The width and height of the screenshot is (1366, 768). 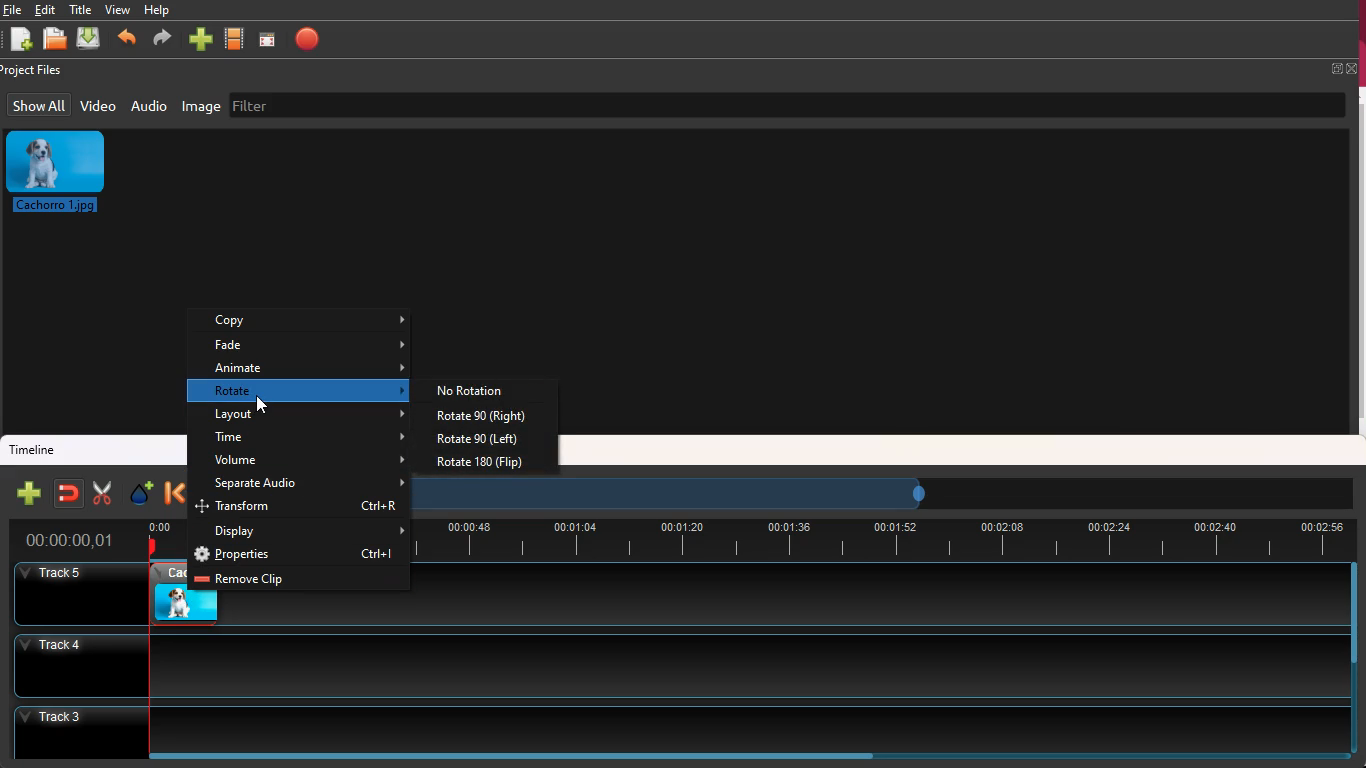 What do you see at coordinates (308, 485) in the screenshot?
I see `separate audio` at bounding box center [308, 485].